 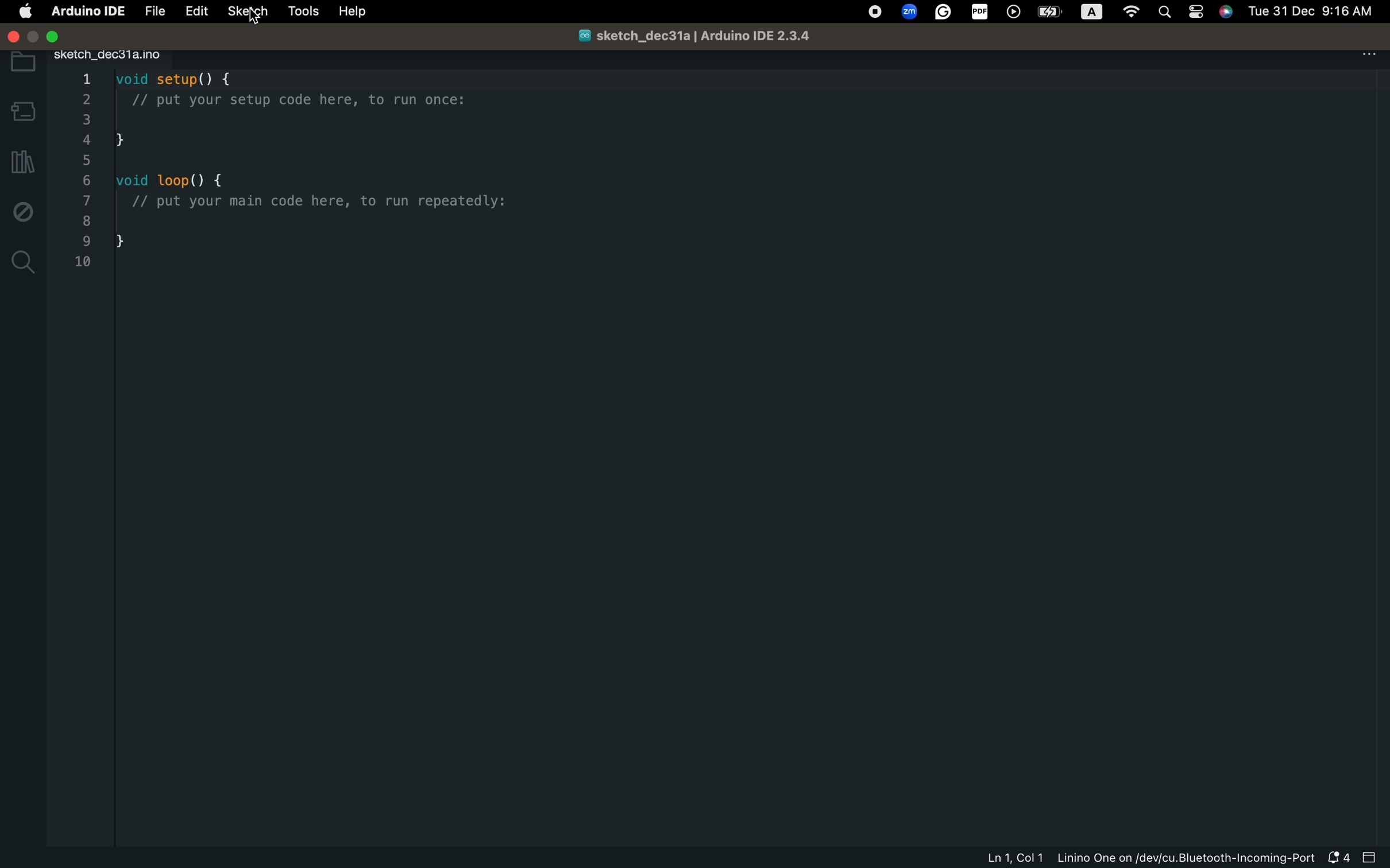 I want to click on sketch, so click(x=248, y=11).